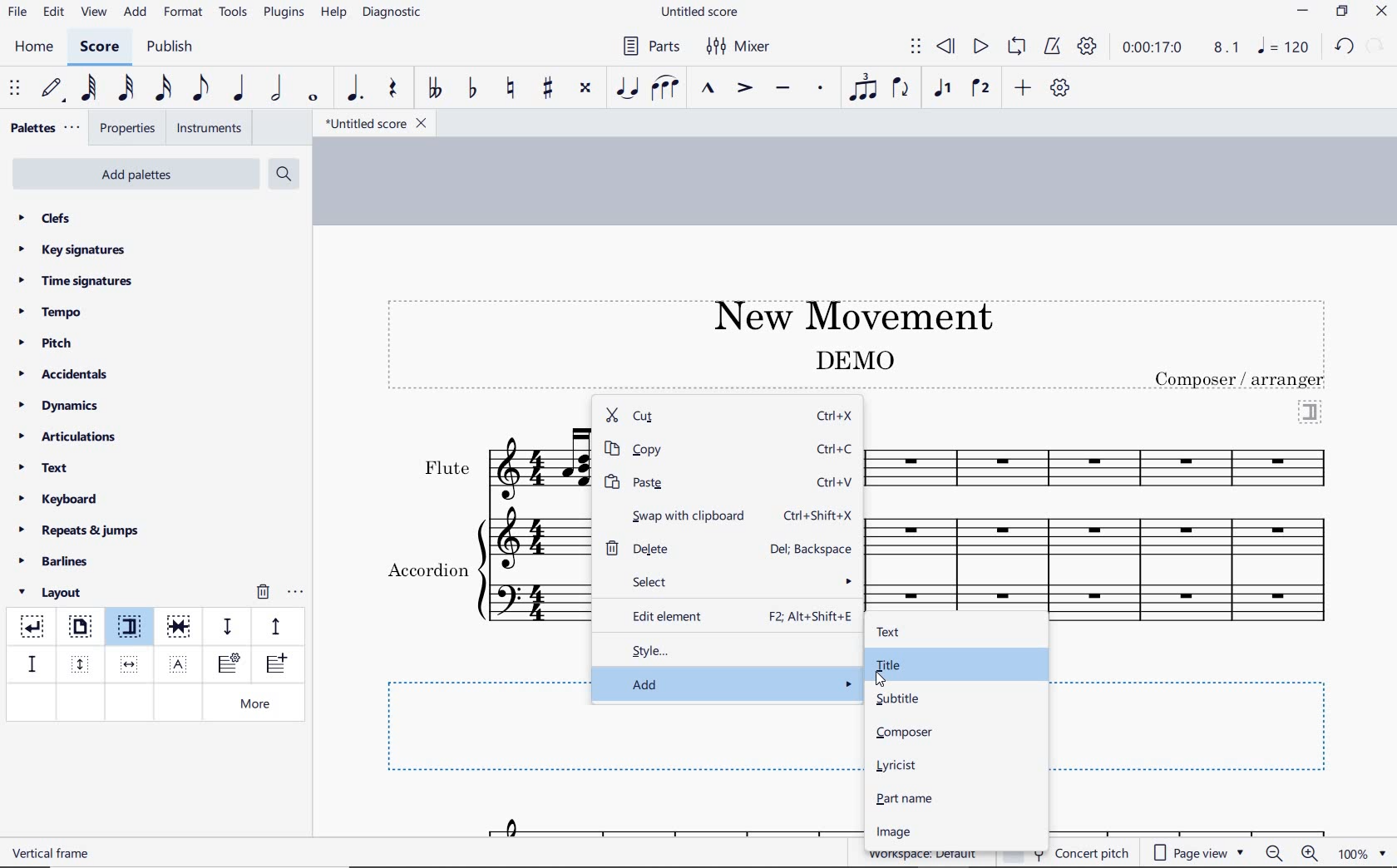 This screenshot has height=868, width=1397. Describe the element at coordinates (276, 89) in the screenshot. I see `half note` at that location.